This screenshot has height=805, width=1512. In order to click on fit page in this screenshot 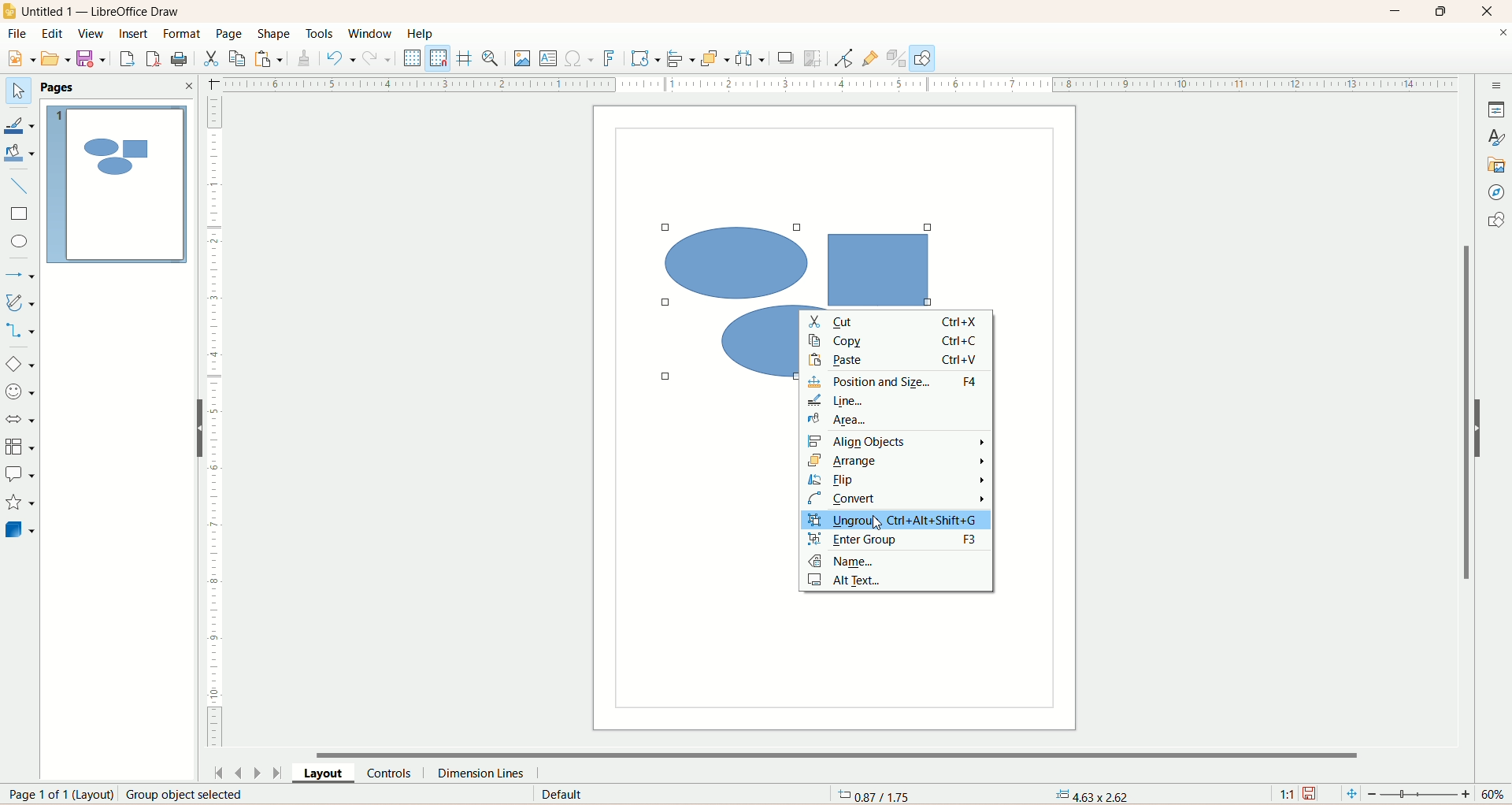, I will do `click(1350, 795)`.